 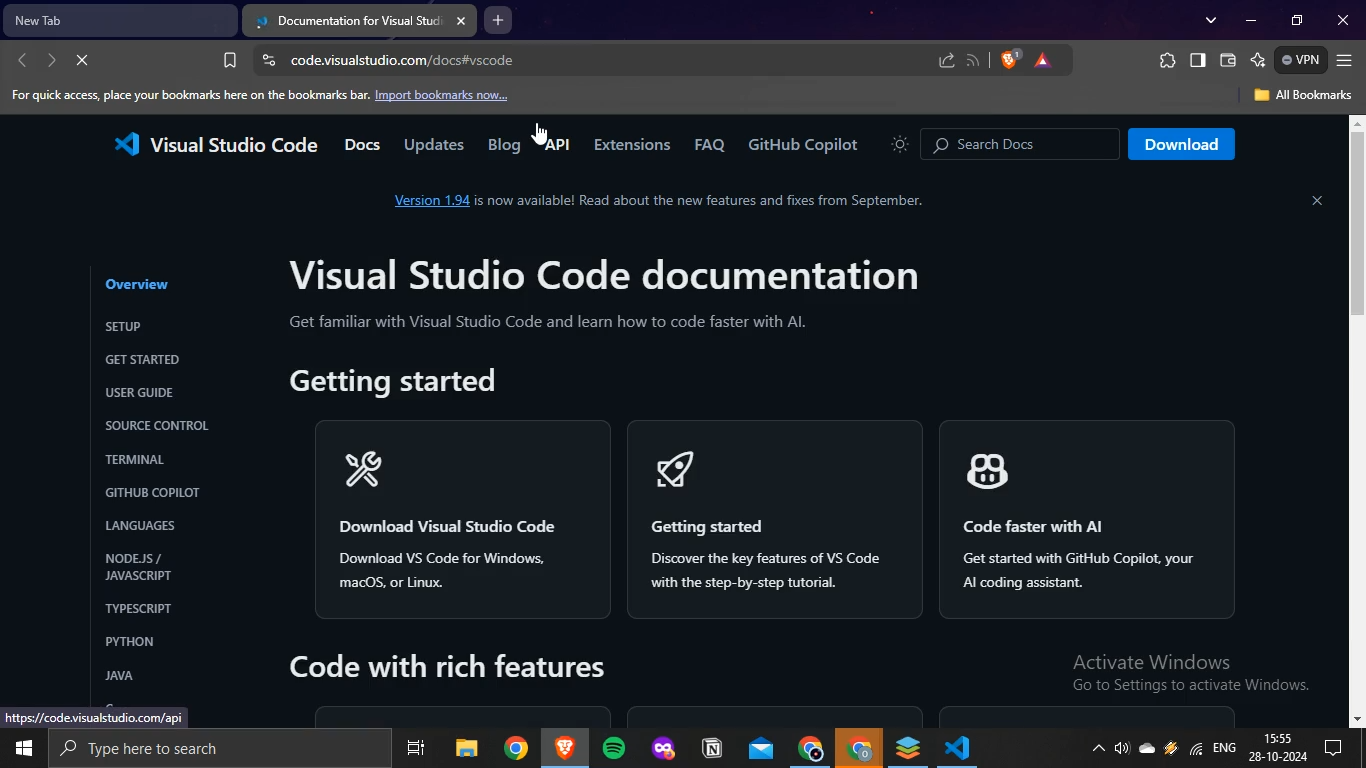 What do you see at coordinates (121, 672) in the screenshot?
I see `JAVA` at bounding box center [121, 672].